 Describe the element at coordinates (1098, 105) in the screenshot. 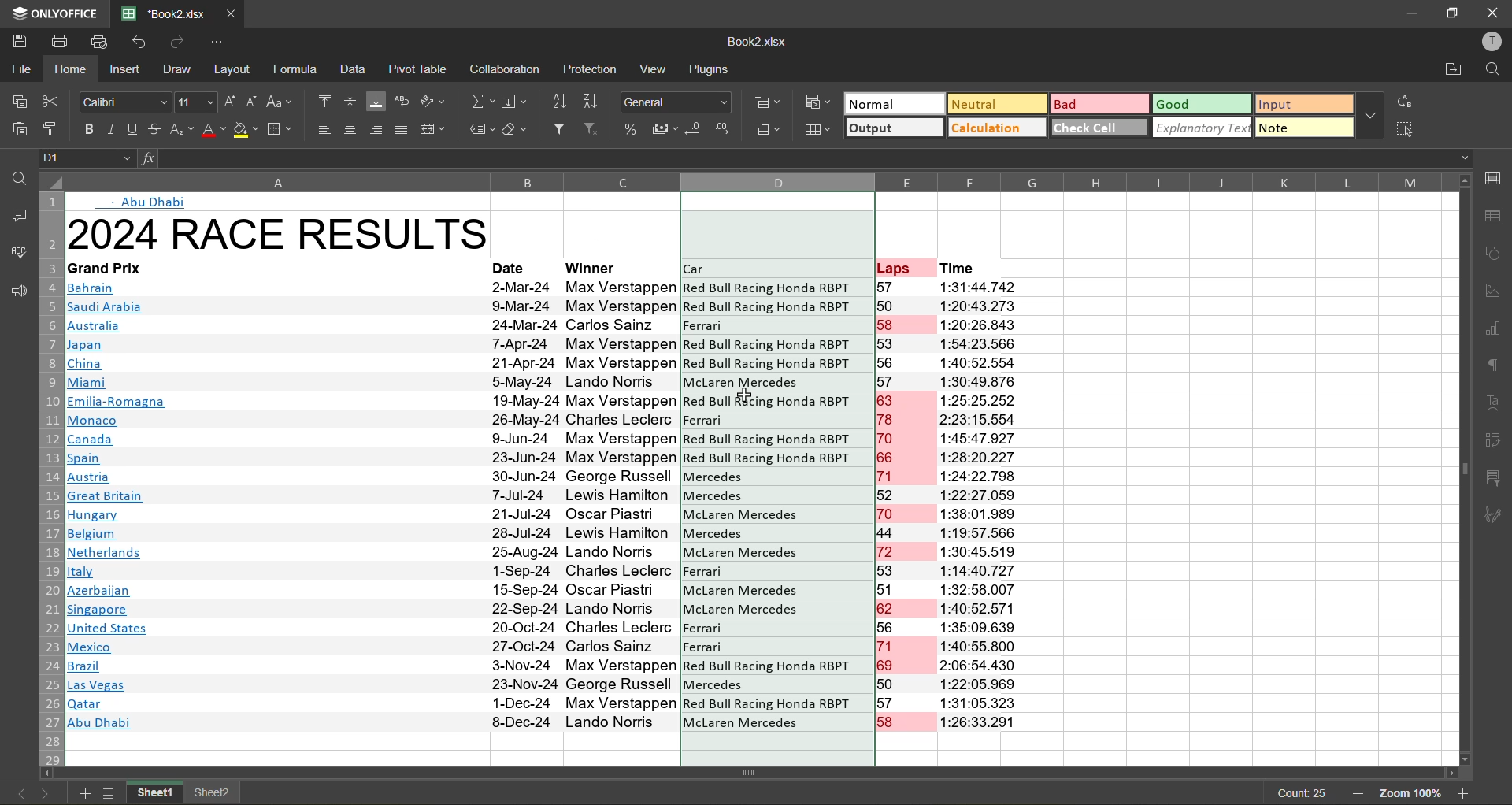

I see `bad` at that location.